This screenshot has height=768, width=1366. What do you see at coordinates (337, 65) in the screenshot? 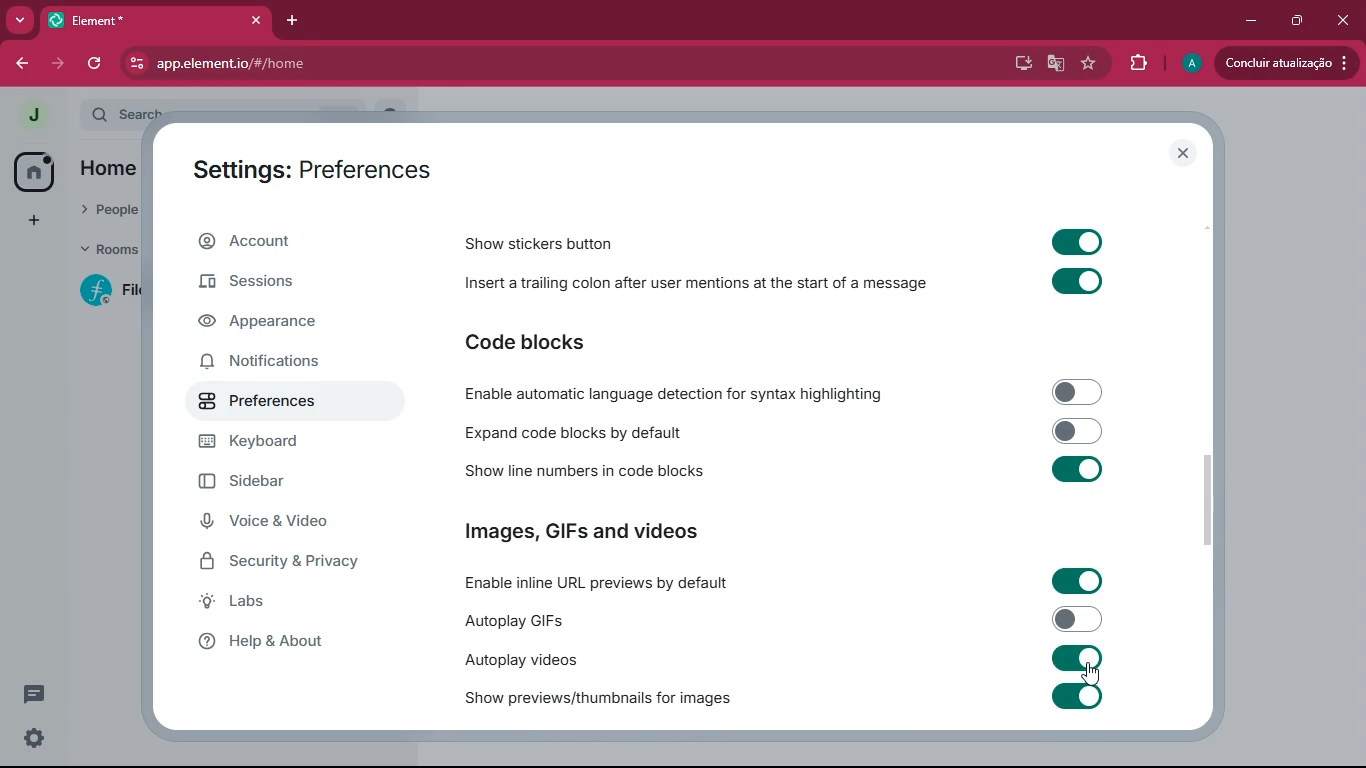
I see `website url` at bounding box center [337, 65].